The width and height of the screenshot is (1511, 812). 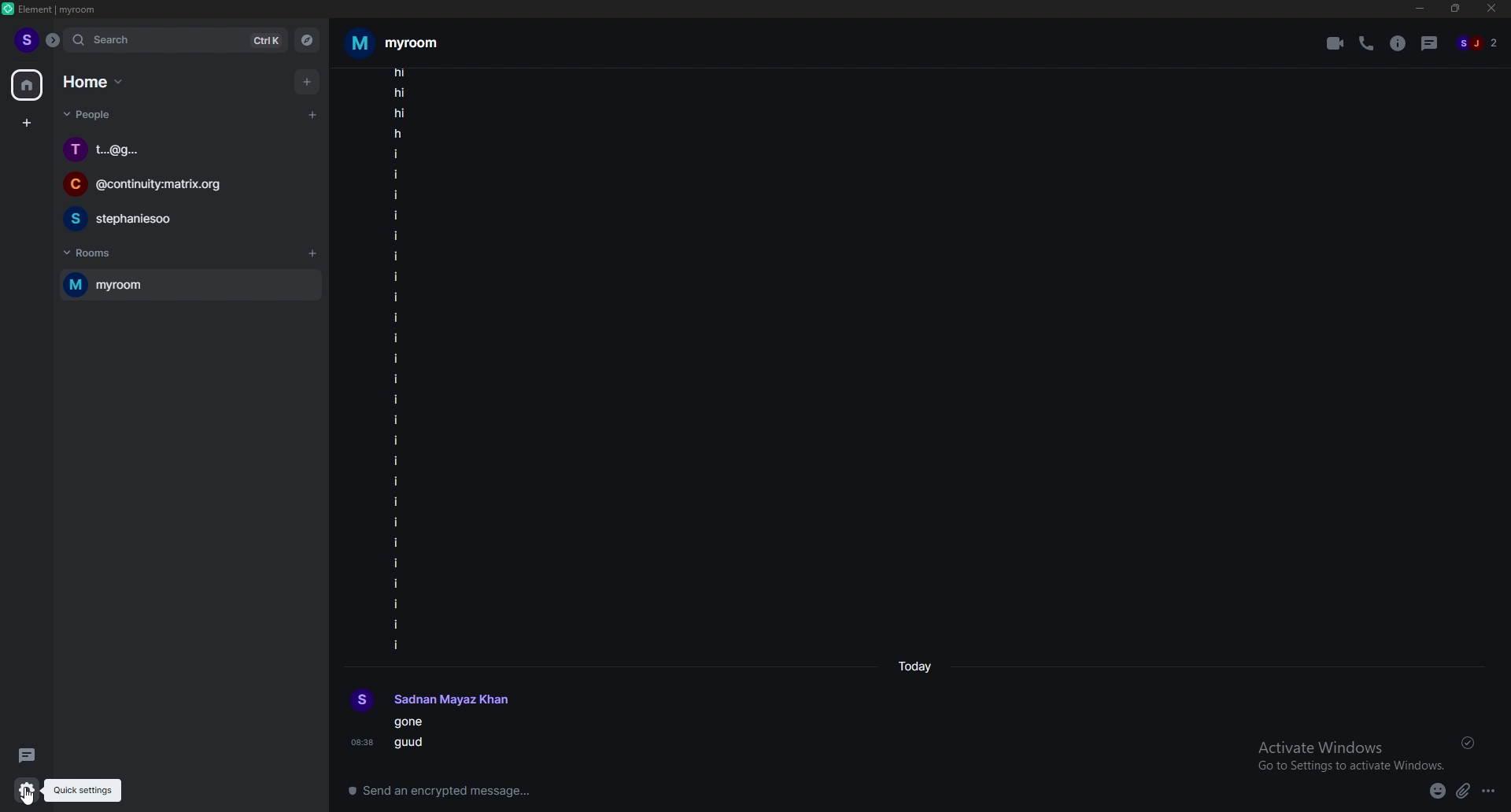 What do you see at coordinates (305, 83) in the screenshot?
I see `add` at bounding box center [305, 83].